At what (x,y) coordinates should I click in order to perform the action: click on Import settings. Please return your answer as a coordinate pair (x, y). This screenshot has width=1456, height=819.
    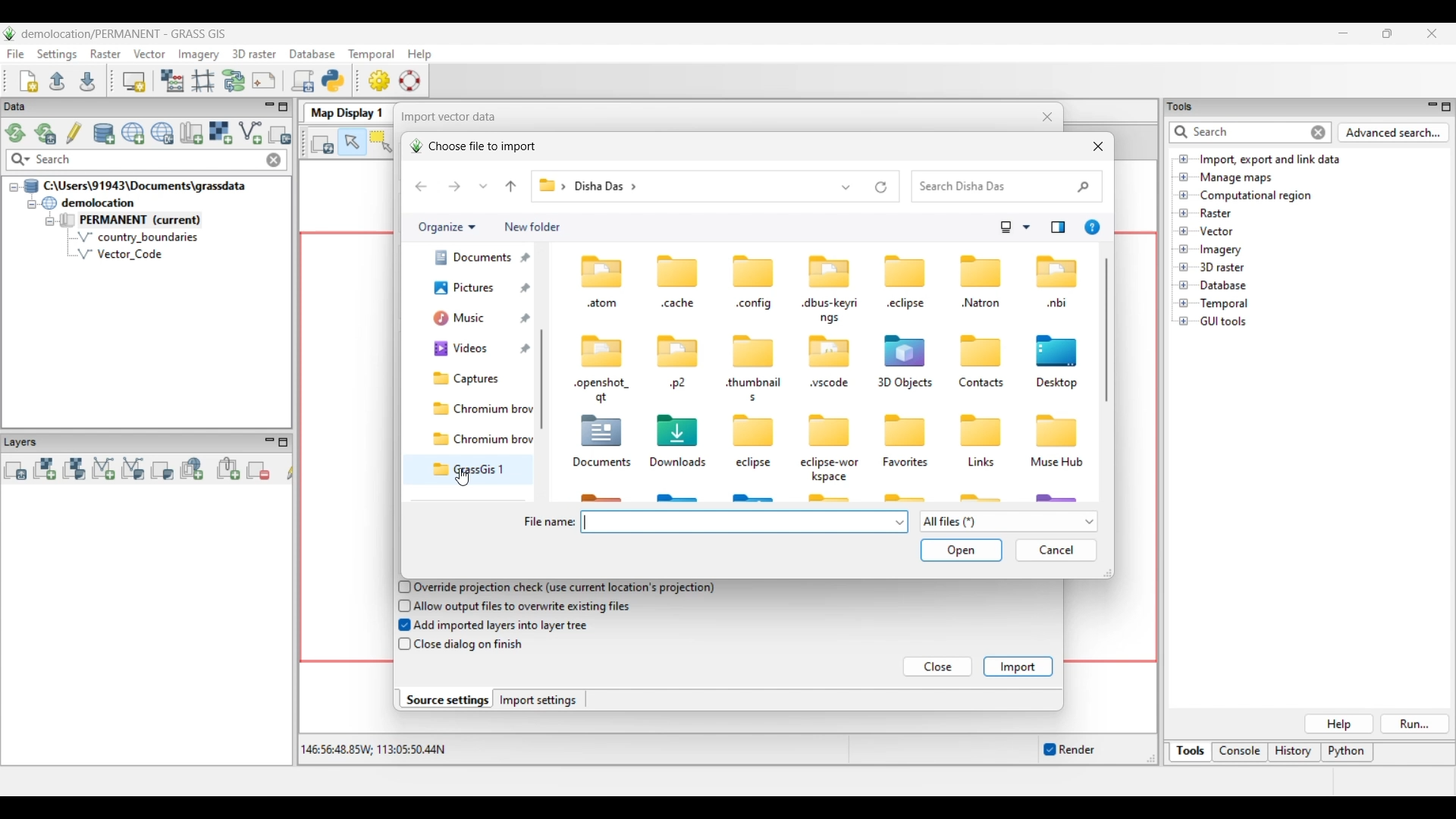
    Looking at the image, I should click on (538, 700).